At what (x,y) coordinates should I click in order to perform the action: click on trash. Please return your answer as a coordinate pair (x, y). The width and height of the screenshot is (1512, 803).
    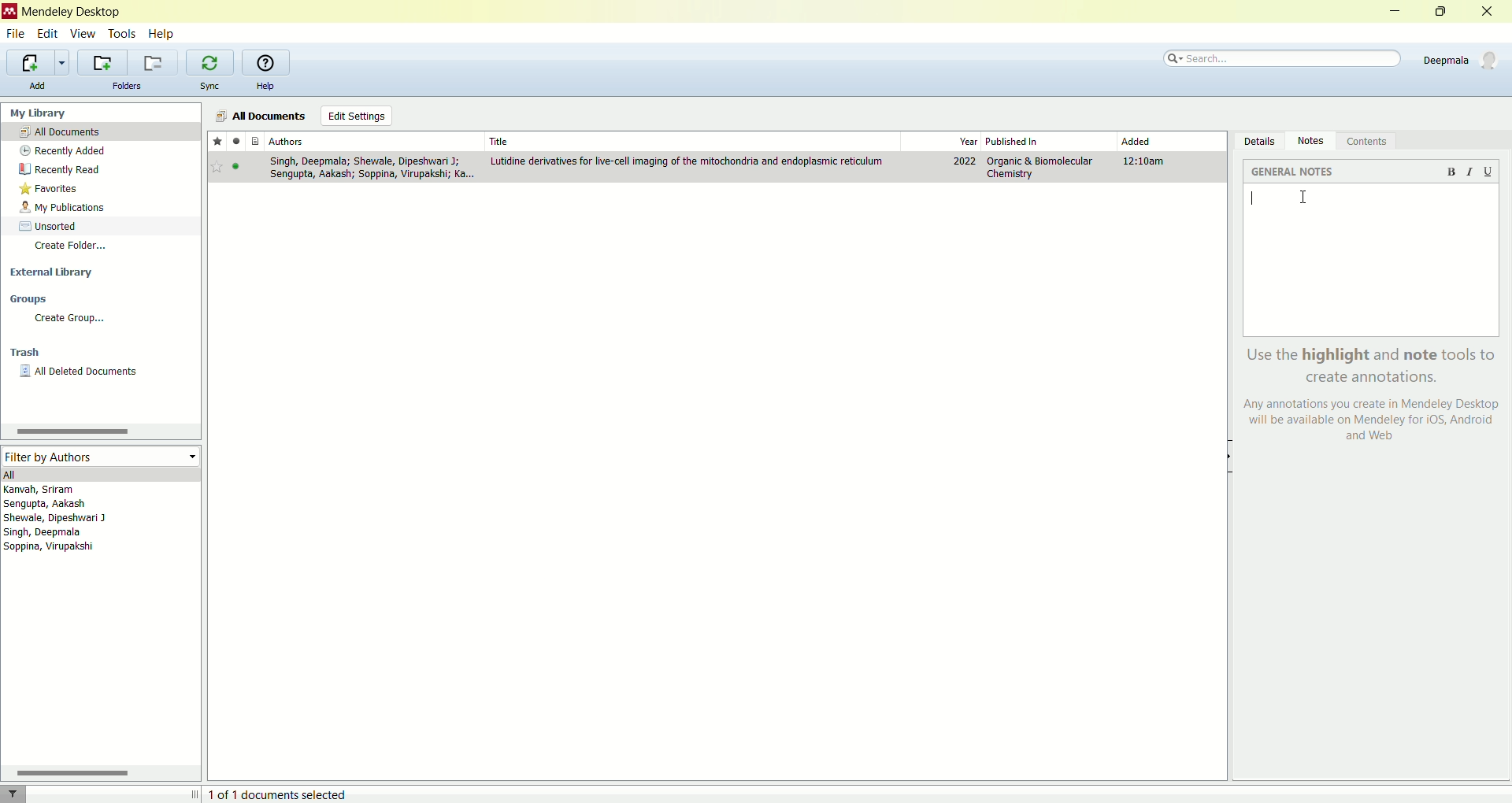
    Looking at the image, I should click on (101, 352).